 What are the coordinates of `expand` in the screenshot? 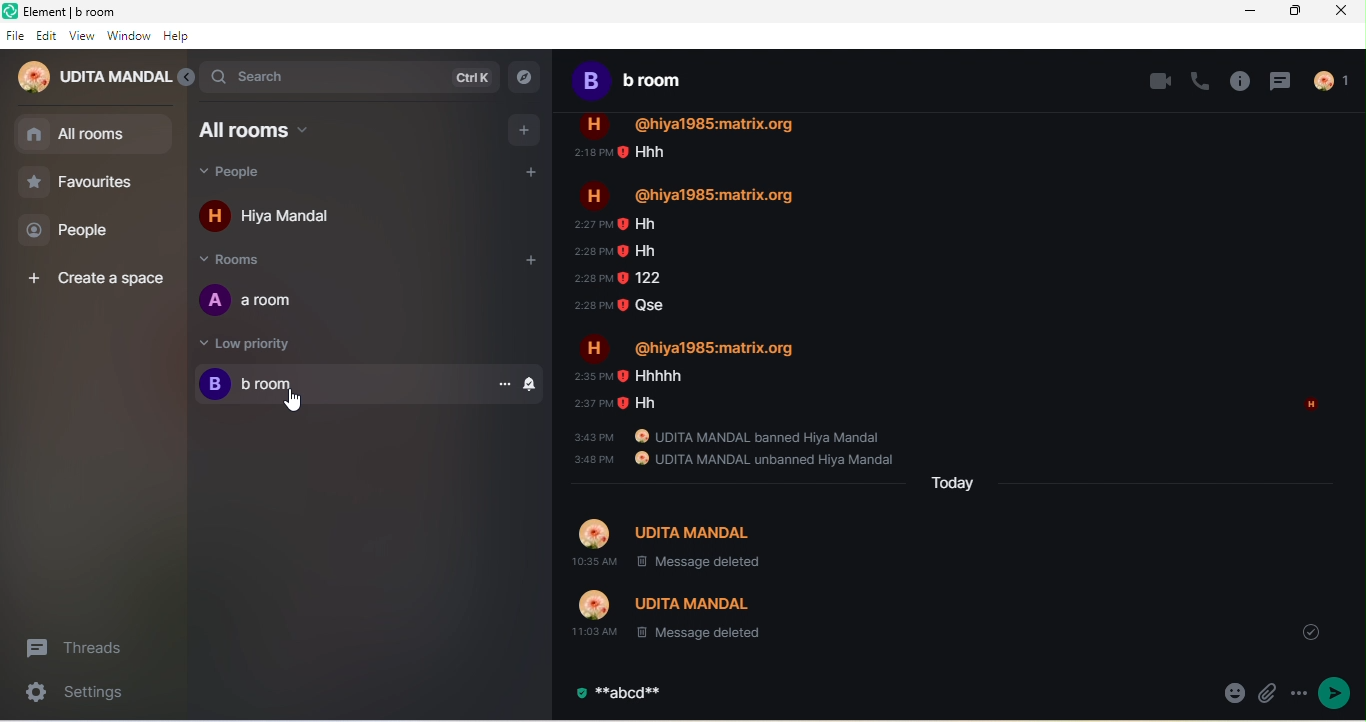 It's located at (186, 77).